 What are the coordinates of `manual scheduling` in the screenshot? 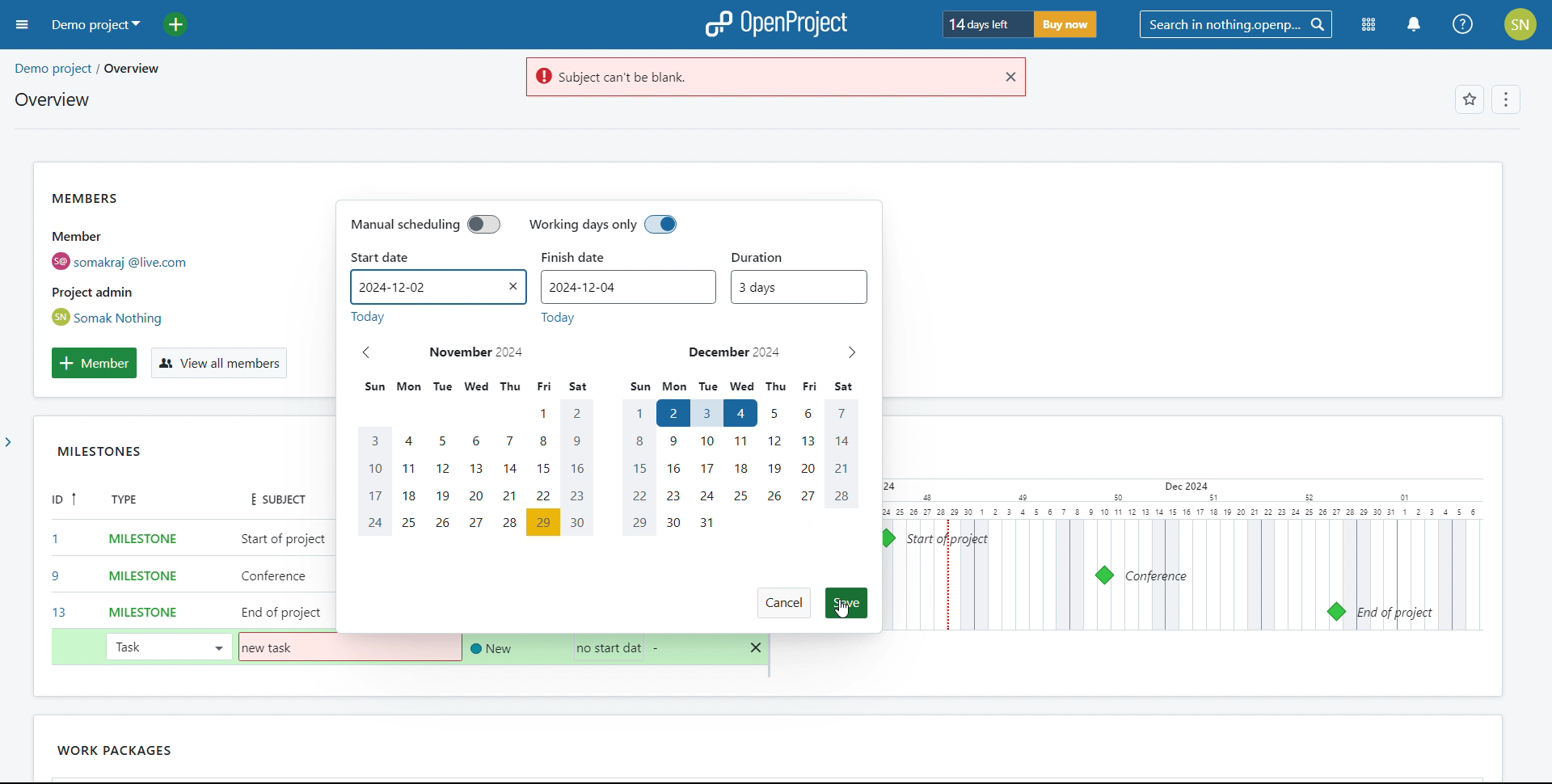 It's located at (424, 224).